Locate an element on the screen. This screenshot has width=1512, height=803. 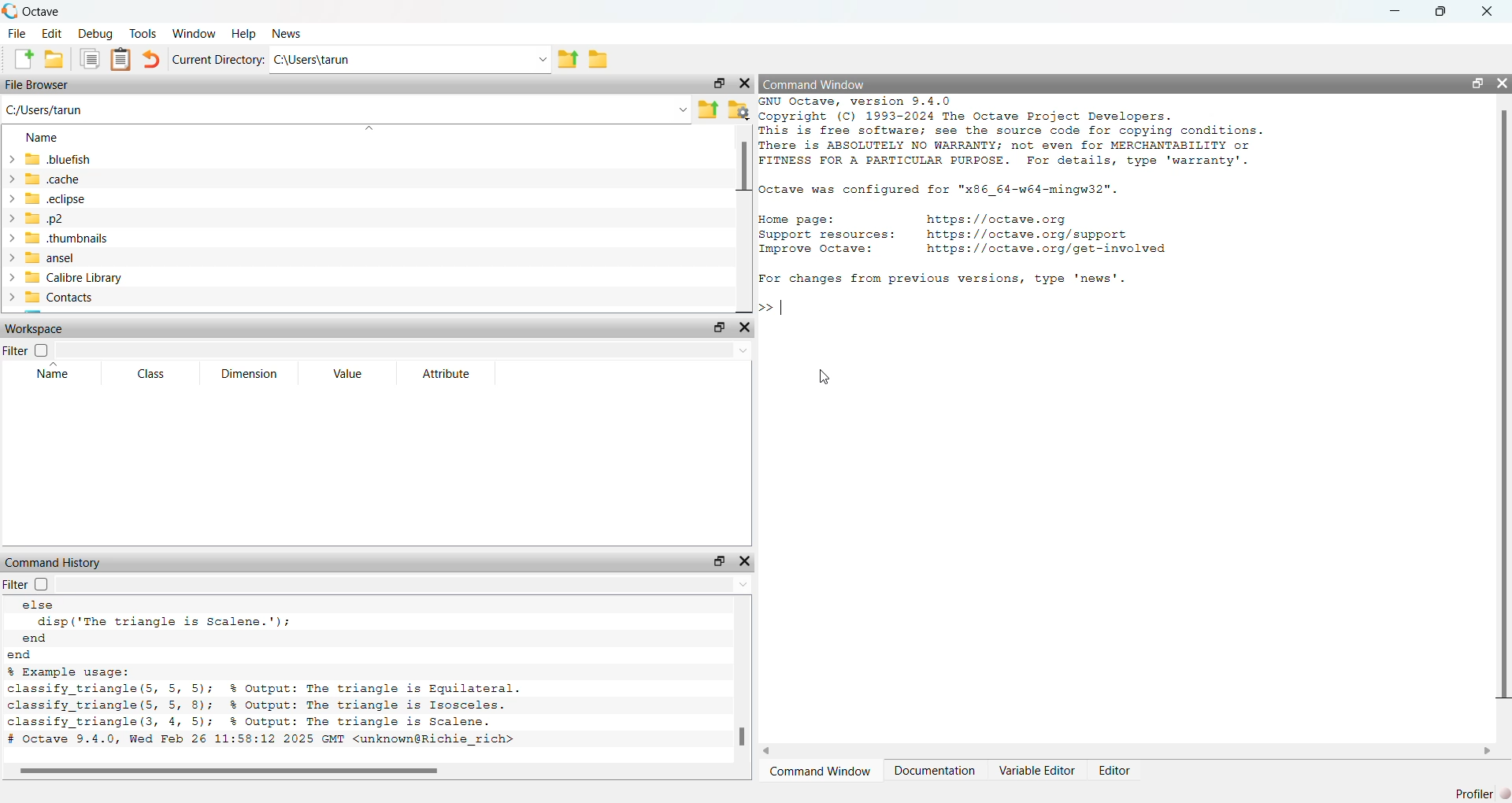
else loop is located at coordinates (174, 616).